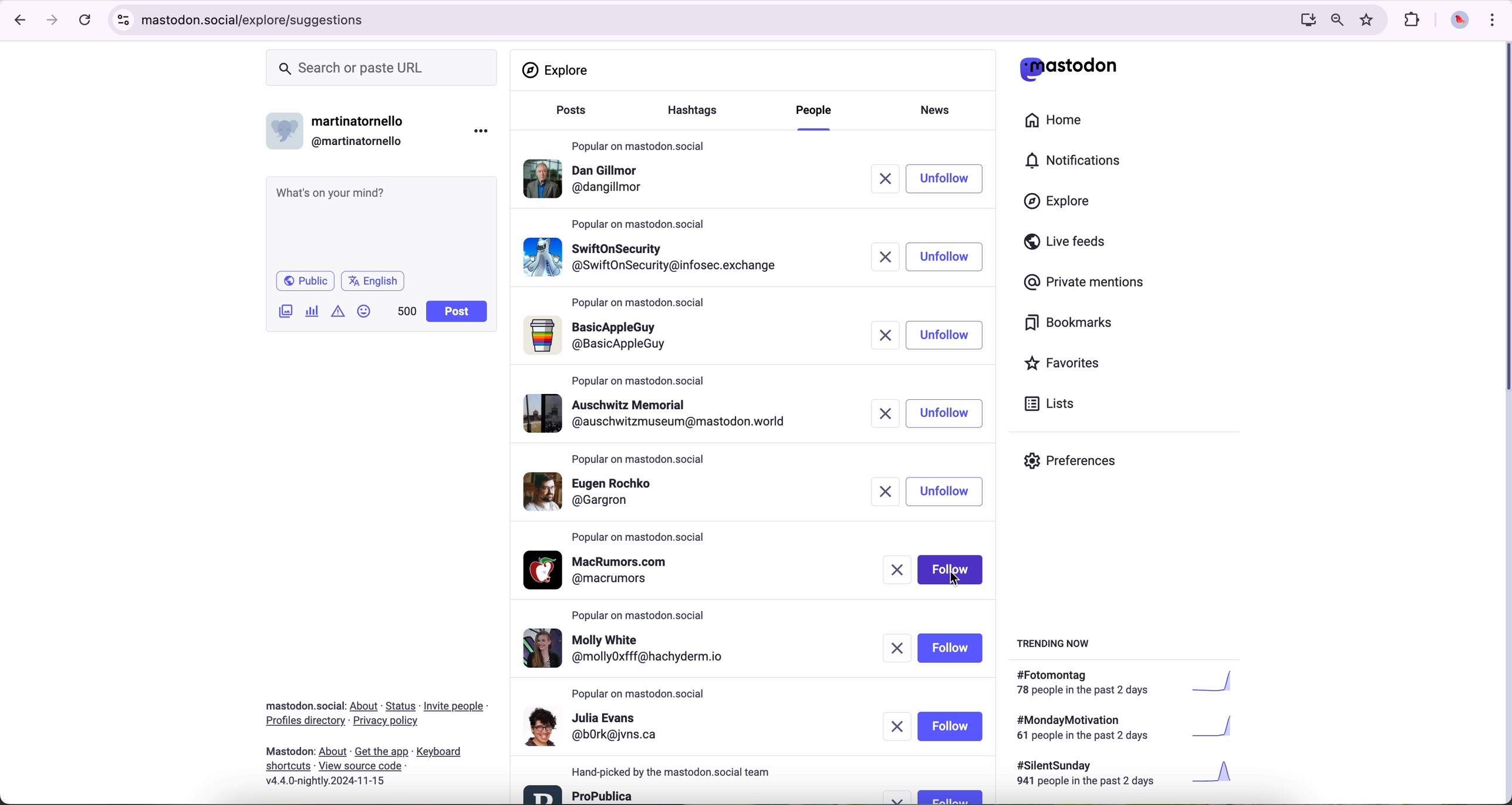 This screenshot has height=805, width=1512. Describe the element at coordinates (639, 143) in the screenshot. I see `popular on mastodon.social` at that location.